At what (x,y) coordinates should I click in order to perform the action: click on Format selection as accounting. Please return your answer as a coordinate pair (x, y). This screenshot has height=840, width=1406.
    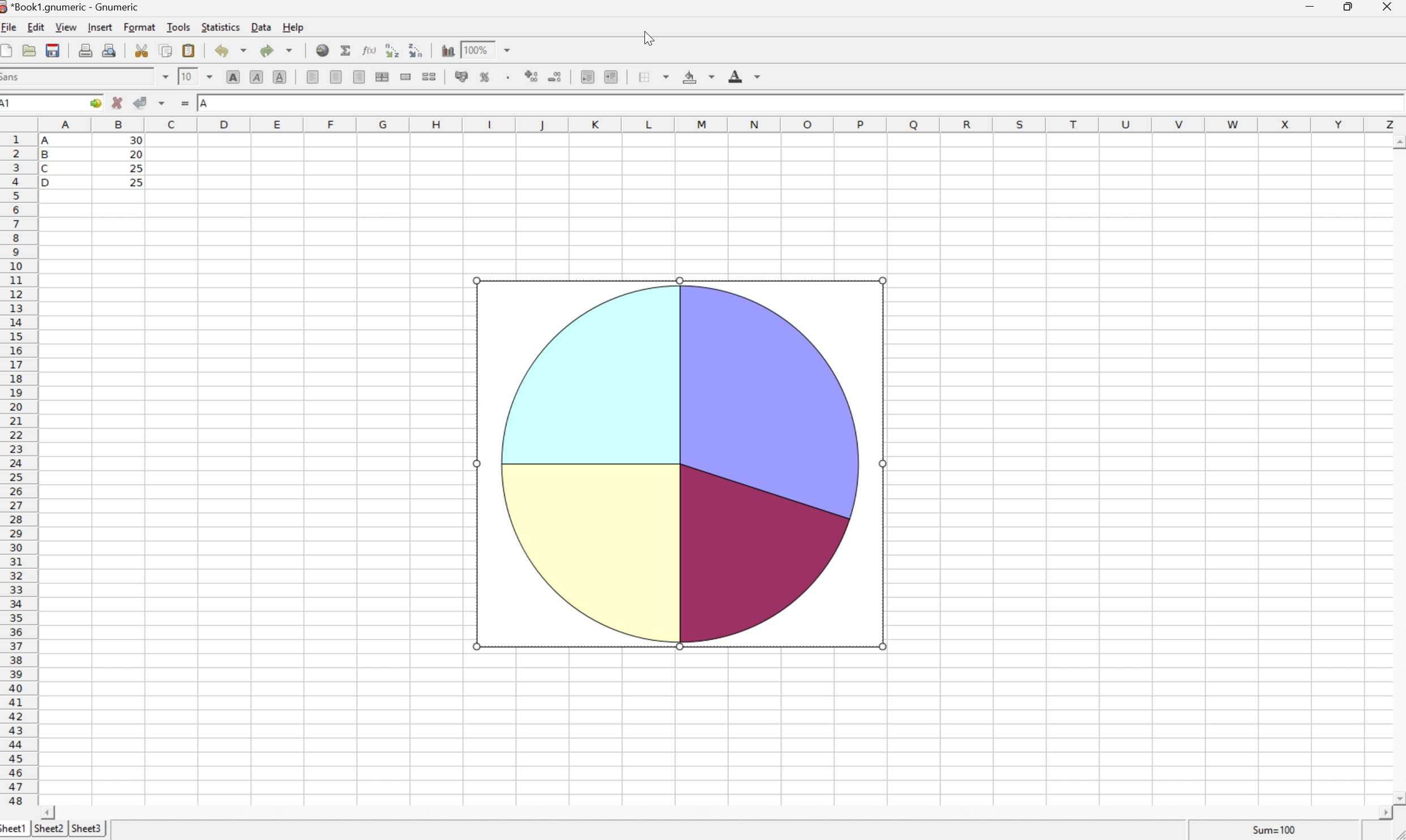
    Looking at the image, I should click on (462, 76).